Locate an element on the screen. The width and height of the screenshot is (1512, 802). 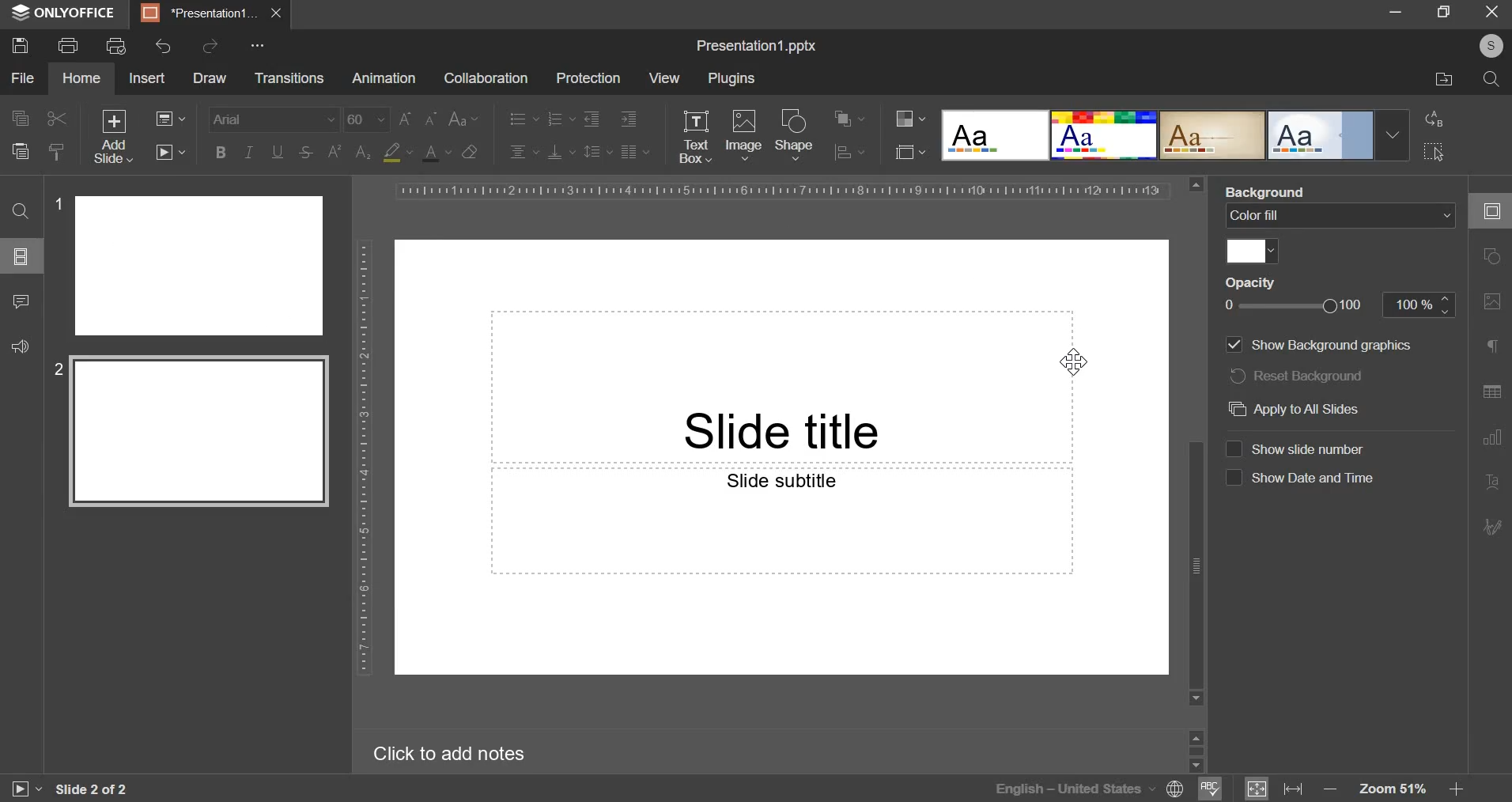
slideshow is located at coordinates (169, 151).